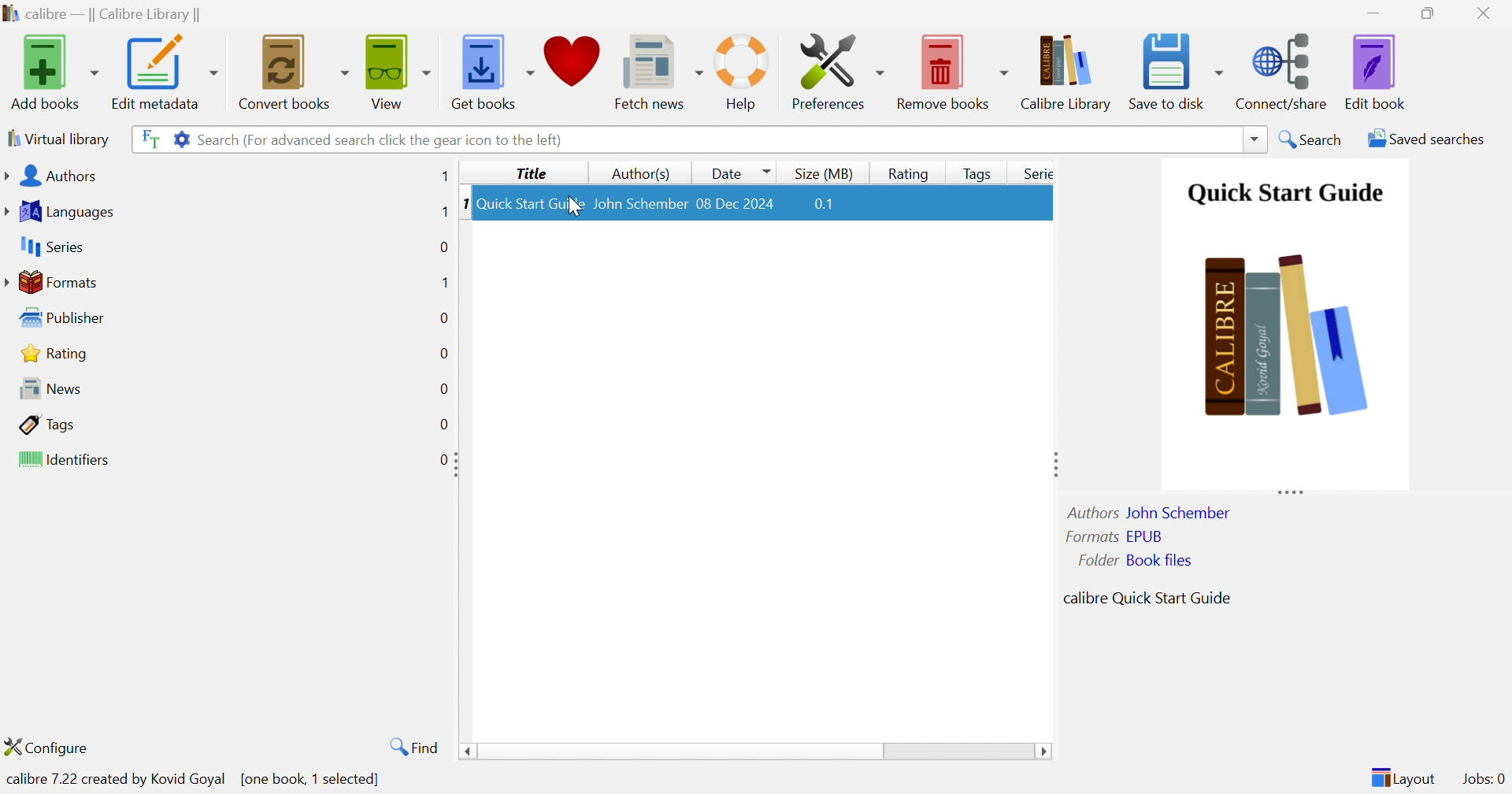  I want to click on Fetch news, so click(655, 69).